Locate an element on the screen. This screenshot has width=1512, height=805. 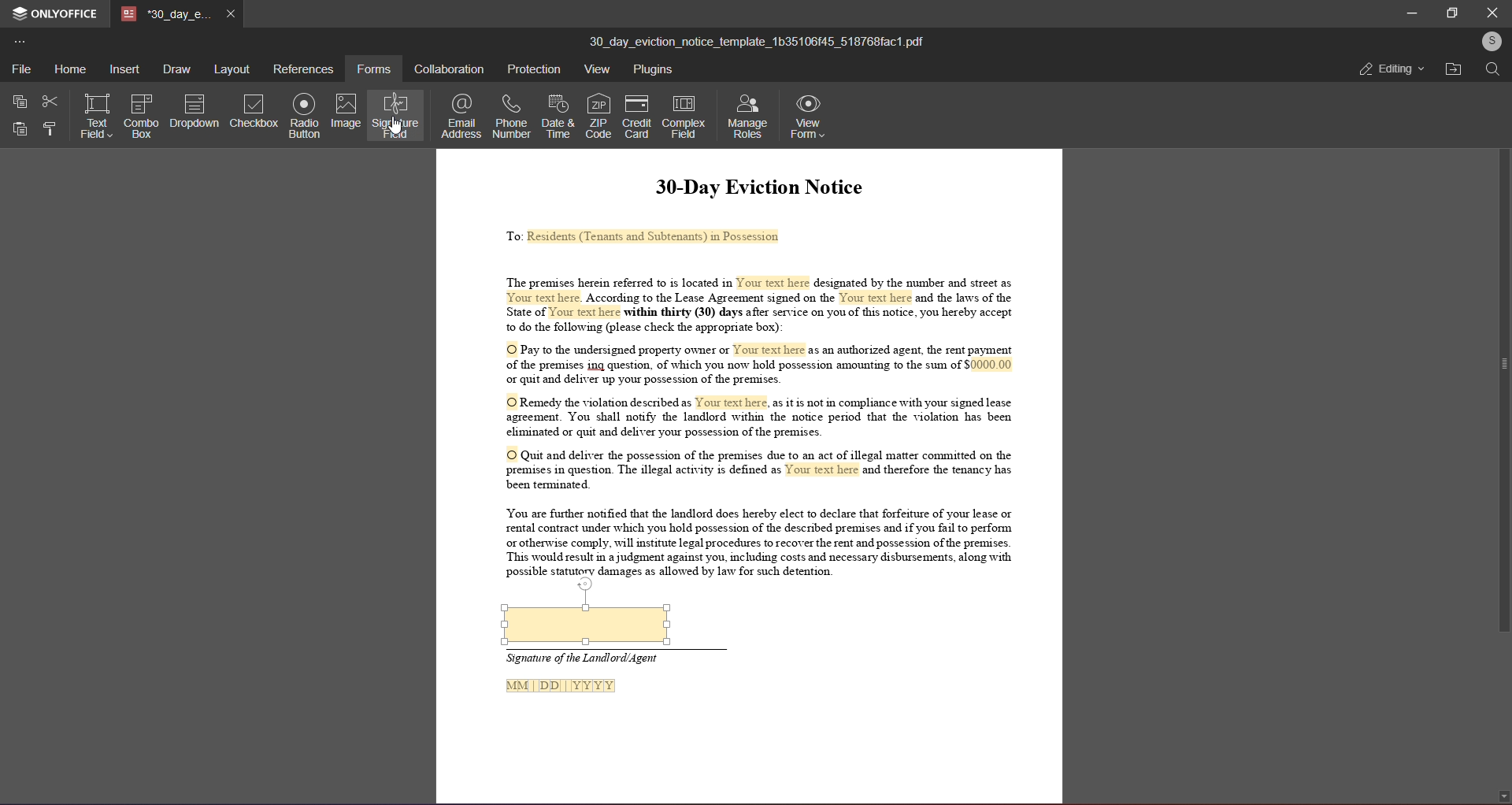
signature is located at coordinates (396, 117).